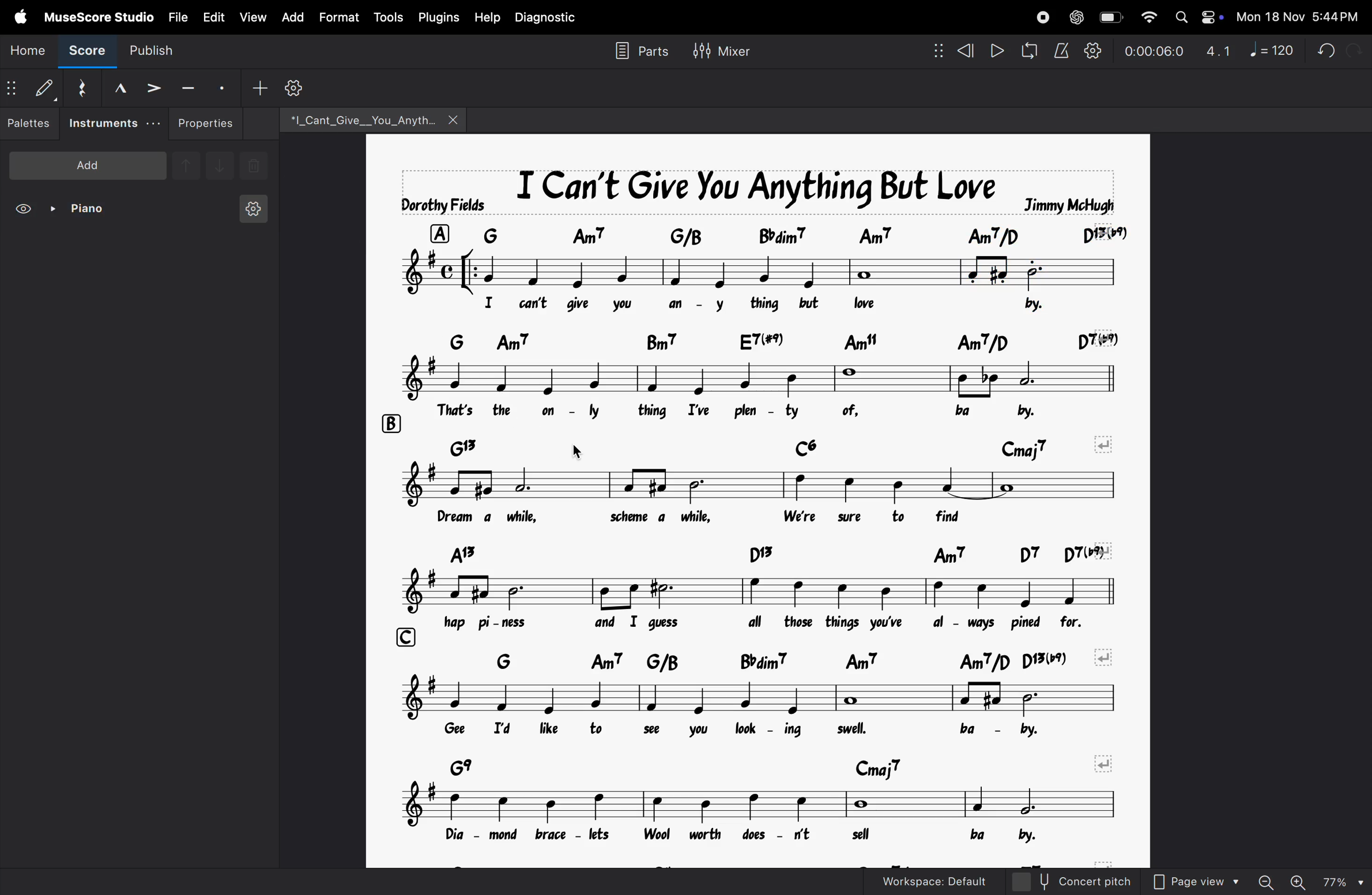  I want to click on zoom in, so click(1298, 881).